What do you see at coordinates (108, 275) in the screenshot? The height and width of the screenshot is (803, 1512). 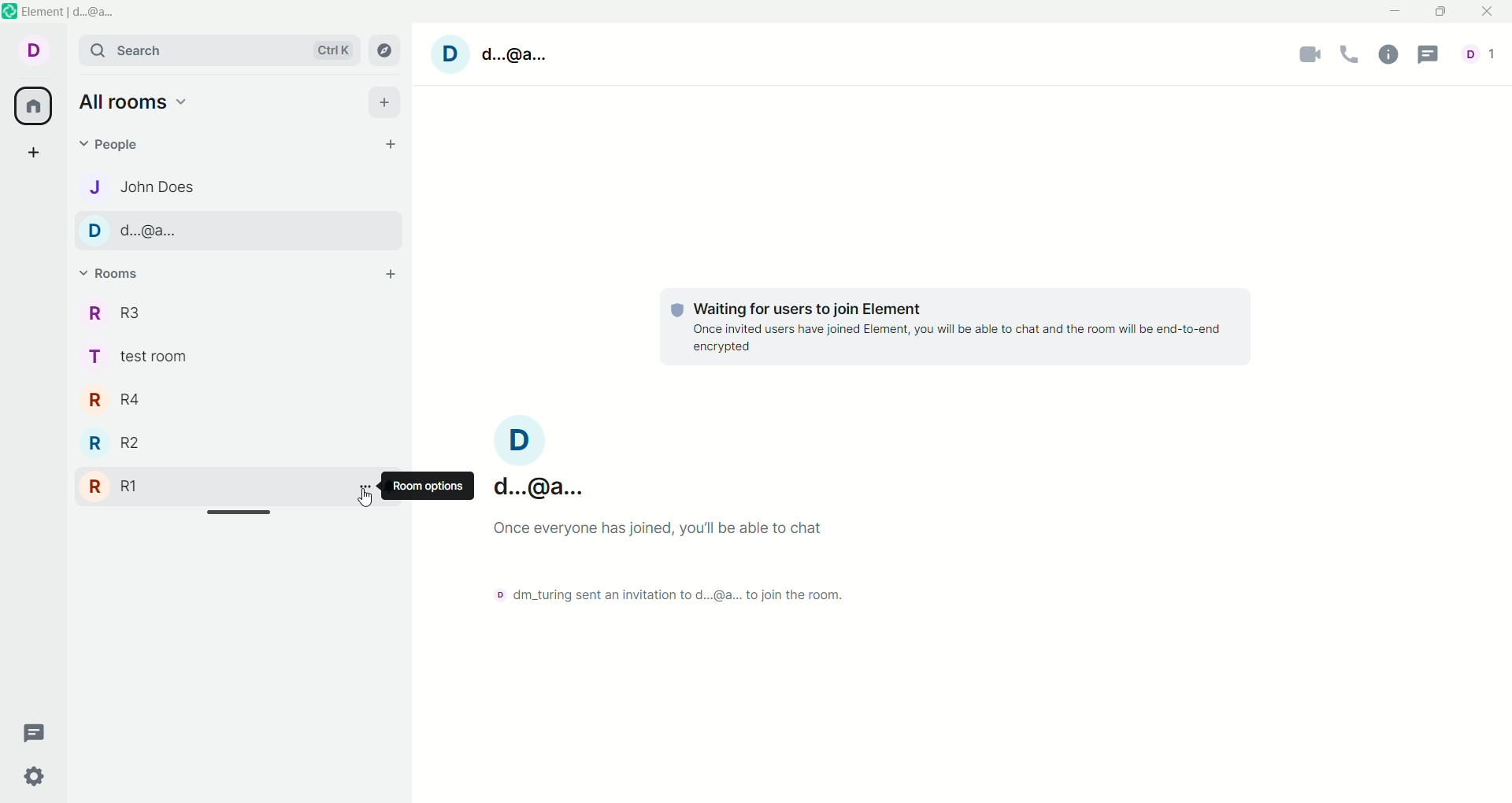 I see `rooms` at bounding box center [108, 275].